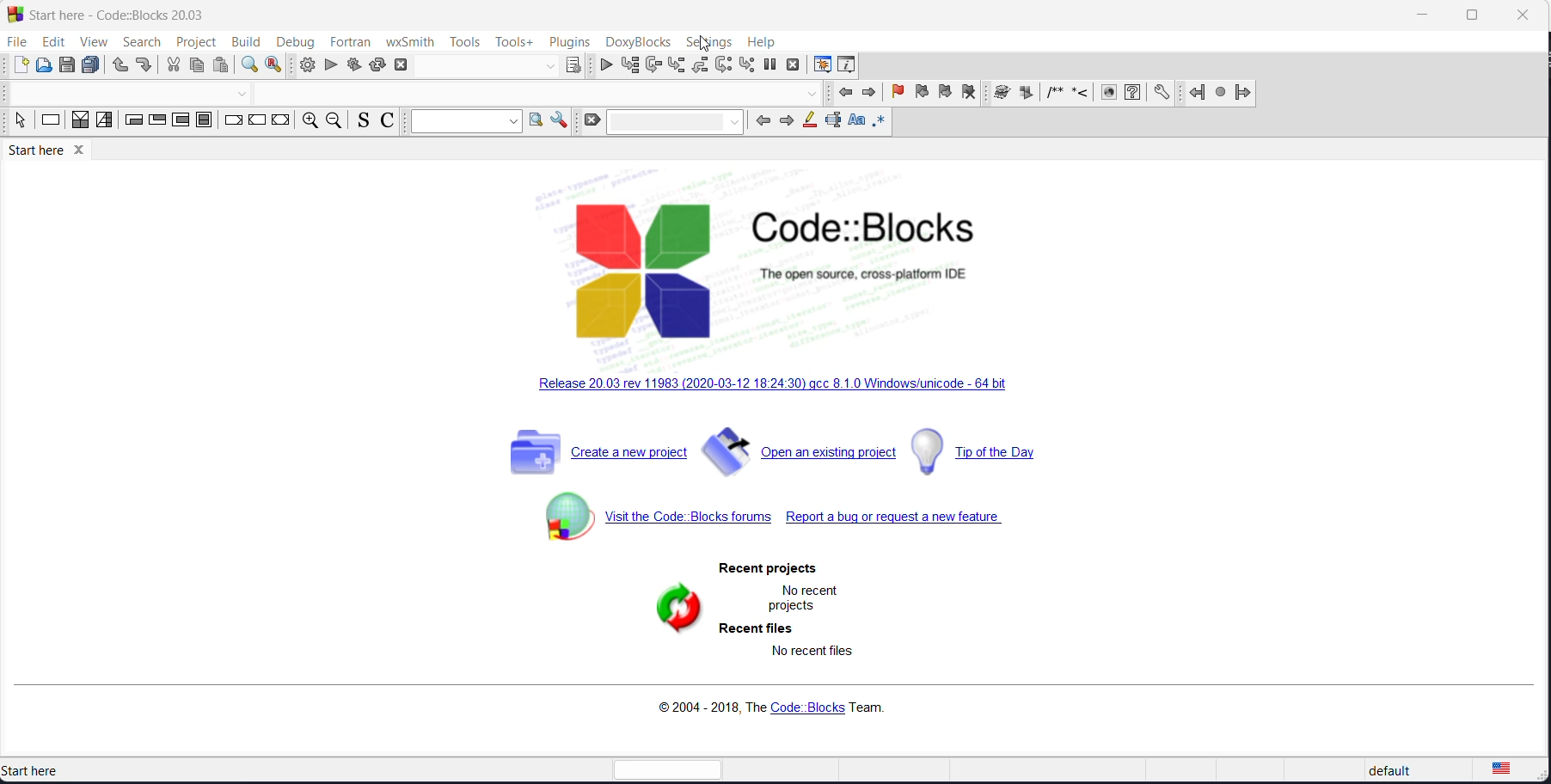 Image resolution: width=1551 pixels, height=784 pixels. What do you see at coordinates (561, 121) in the screenshot?
I see `settings` at bounding box center [561, 121].